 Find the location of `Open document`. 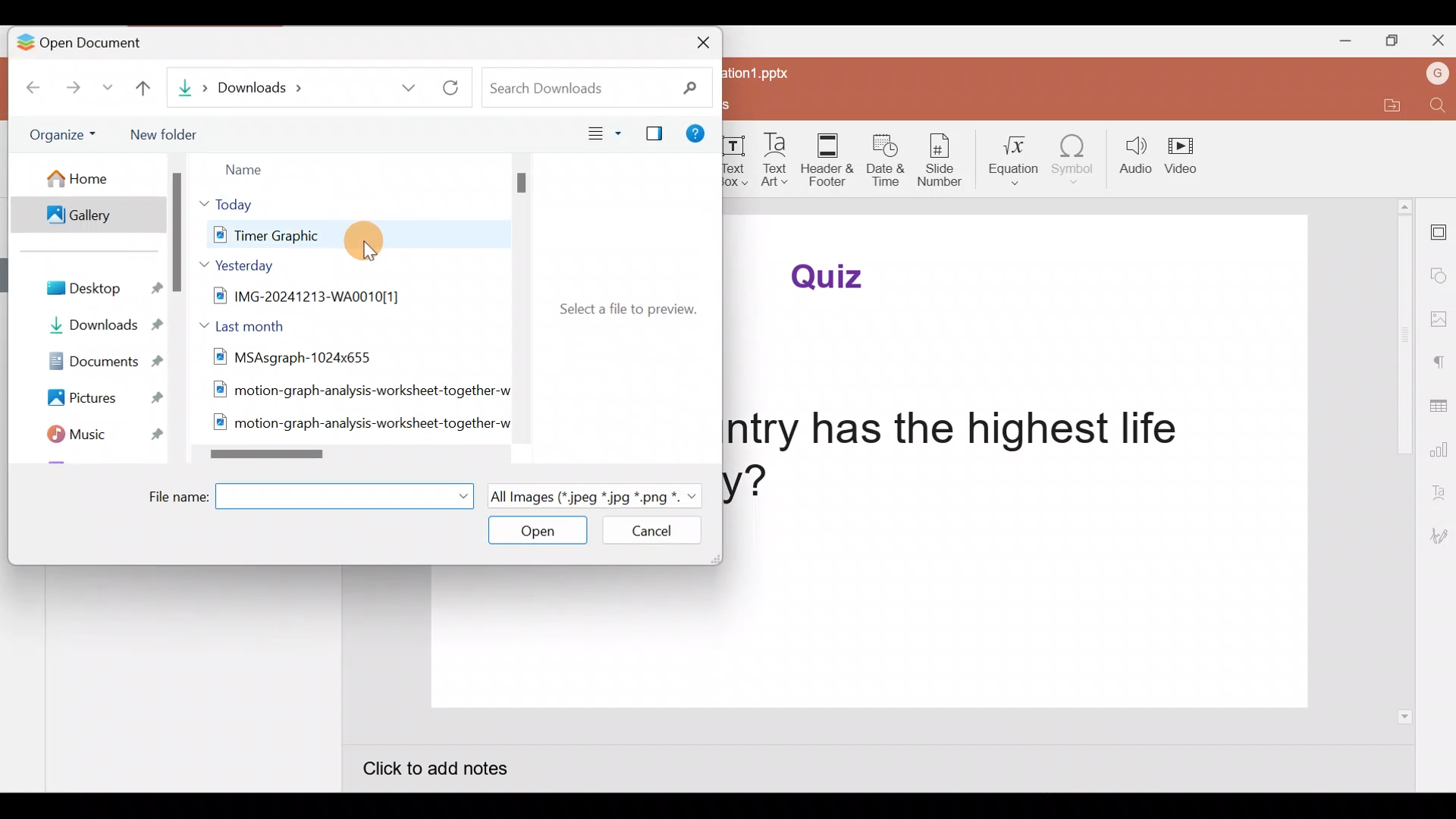

Open document is located at coordinates (106, 44).